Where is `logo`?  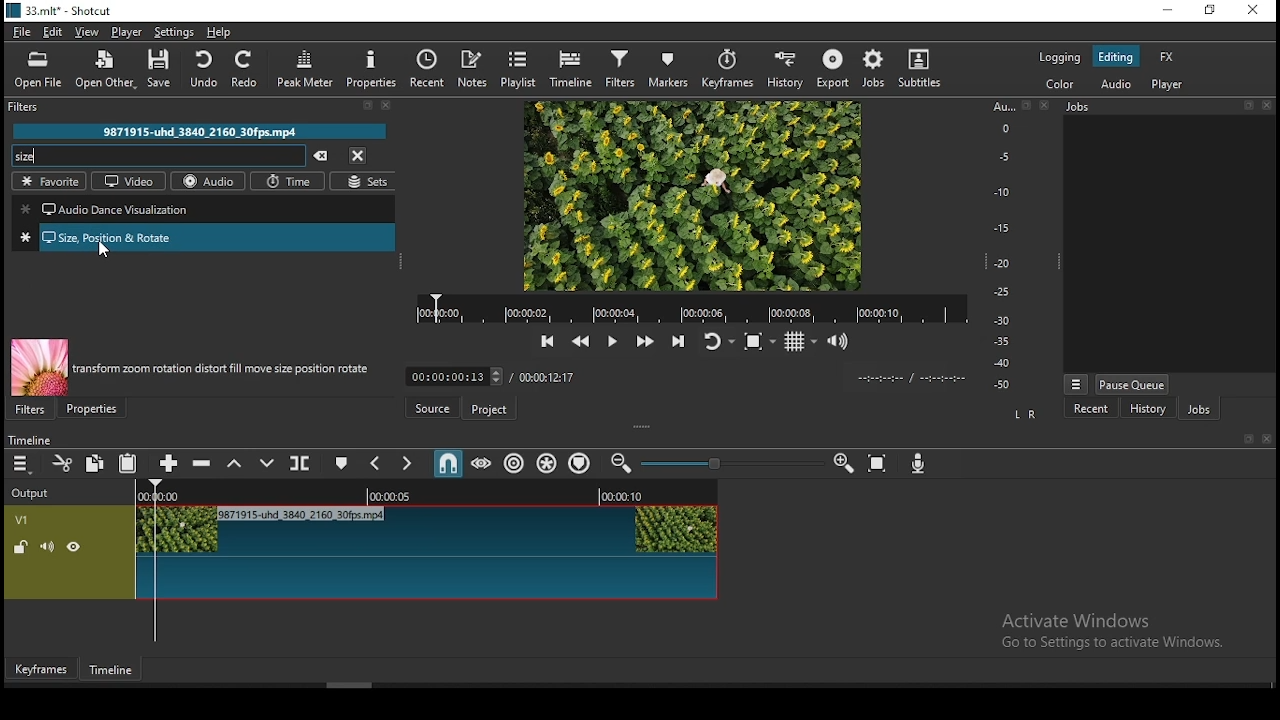 logo is located at coordinates (15, 12).